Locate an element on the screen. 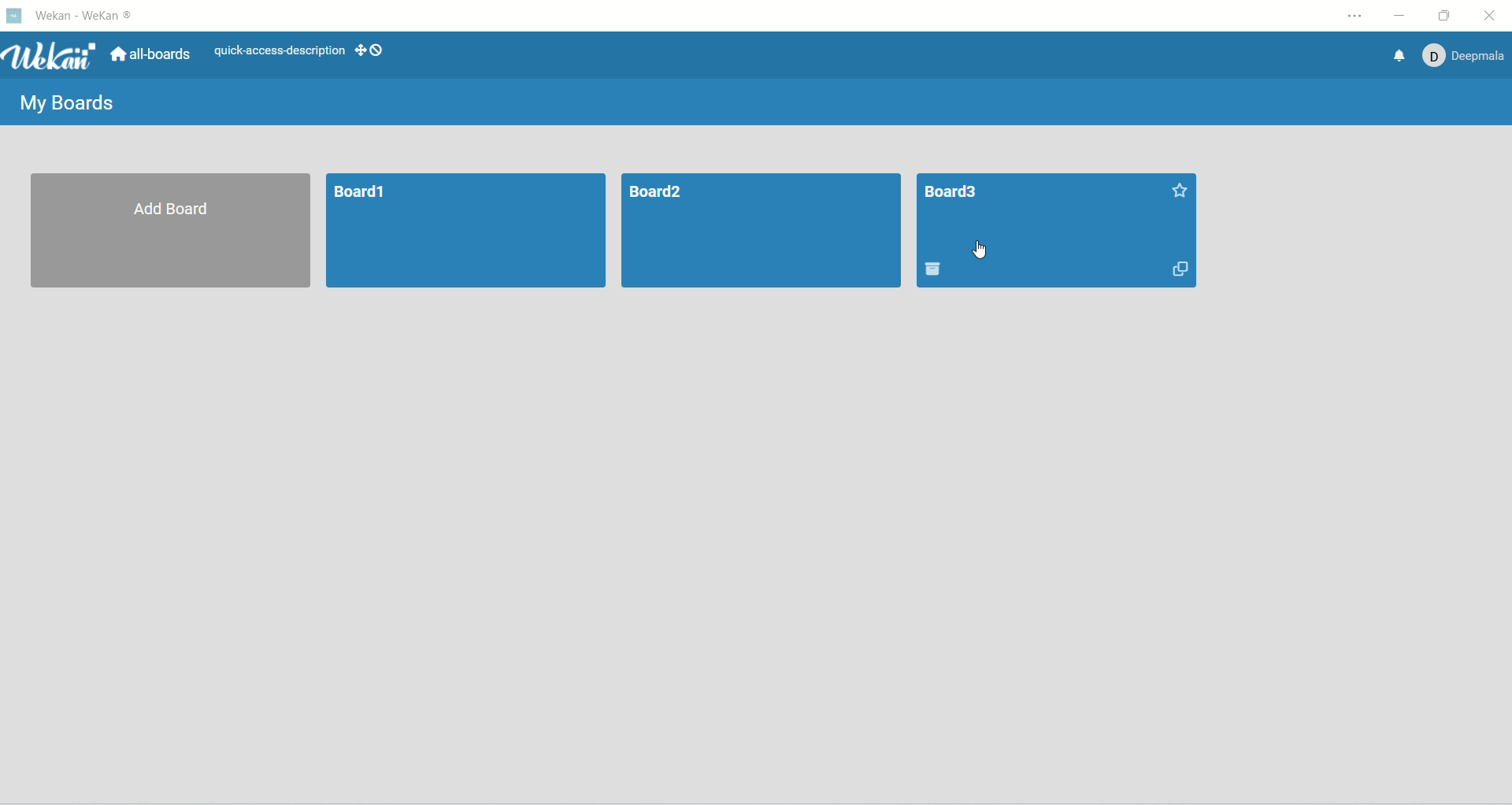  delete is located at coordinates (933, 270).